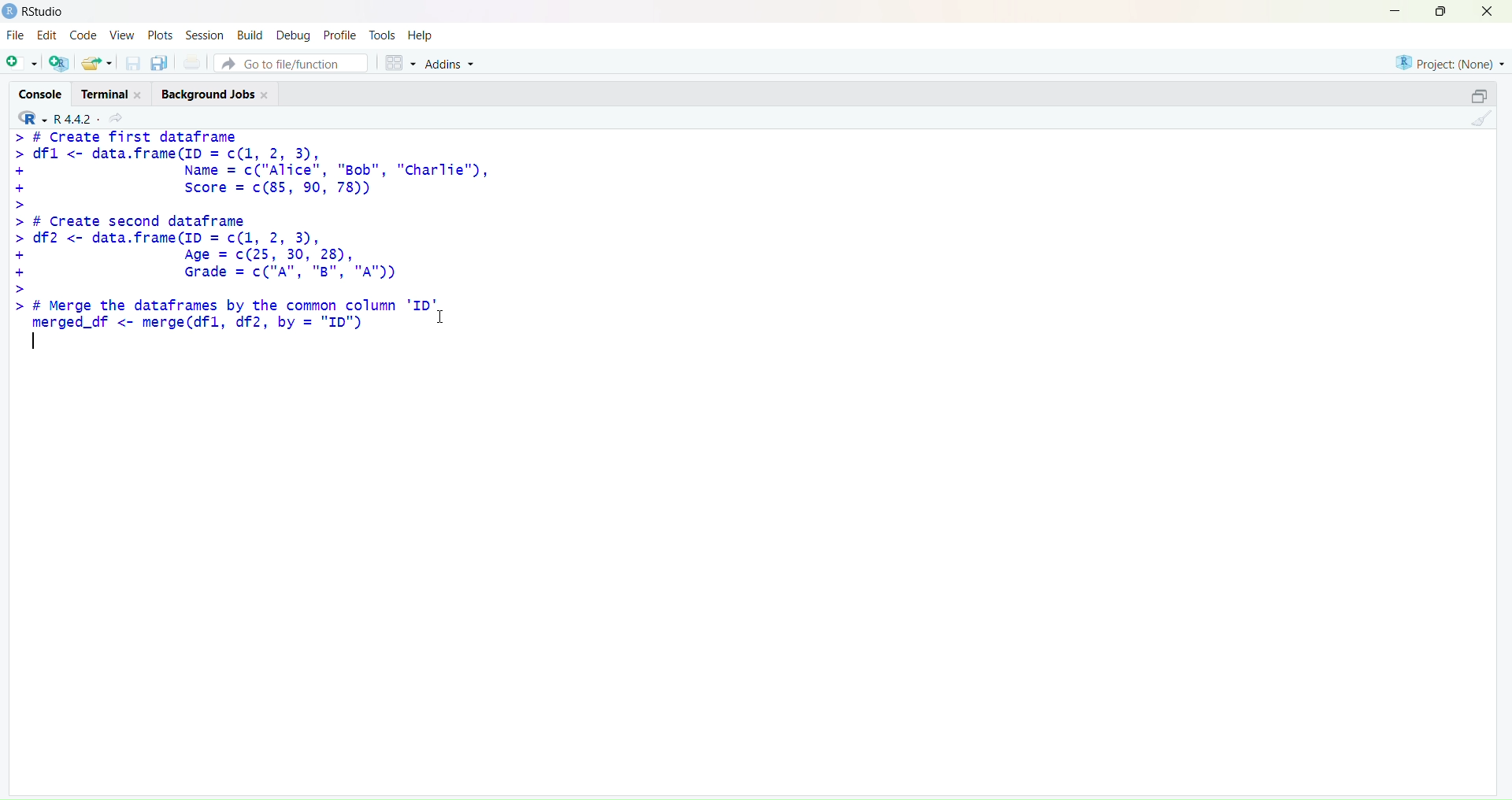  Describe the element at coordinates (161, 64) in the screenshot. I see `save all open document` at that location.